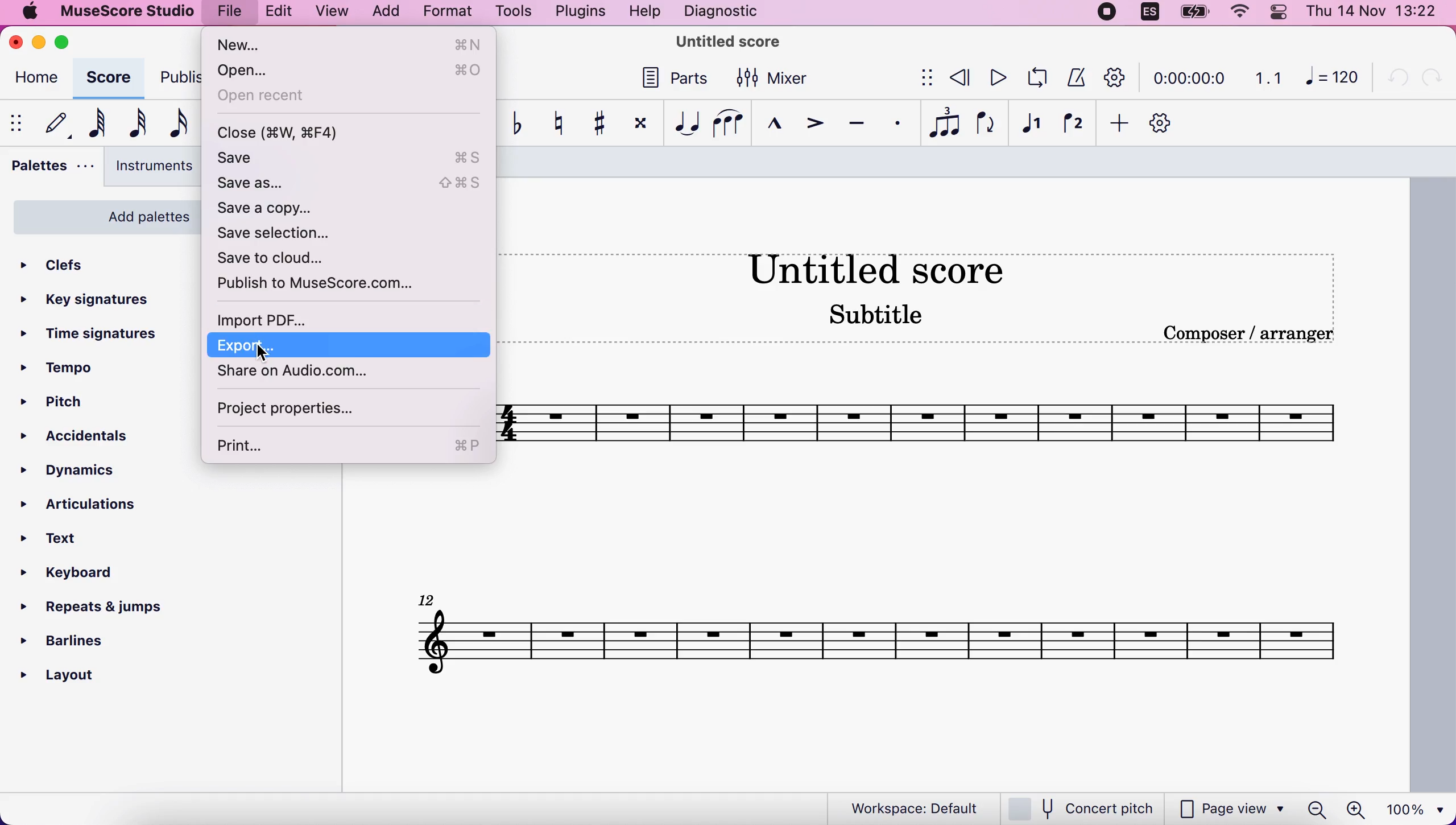  What do you see at coordinates (84, 398) in the screenshot?
I see `pitch` at bounding box center [84, 398].